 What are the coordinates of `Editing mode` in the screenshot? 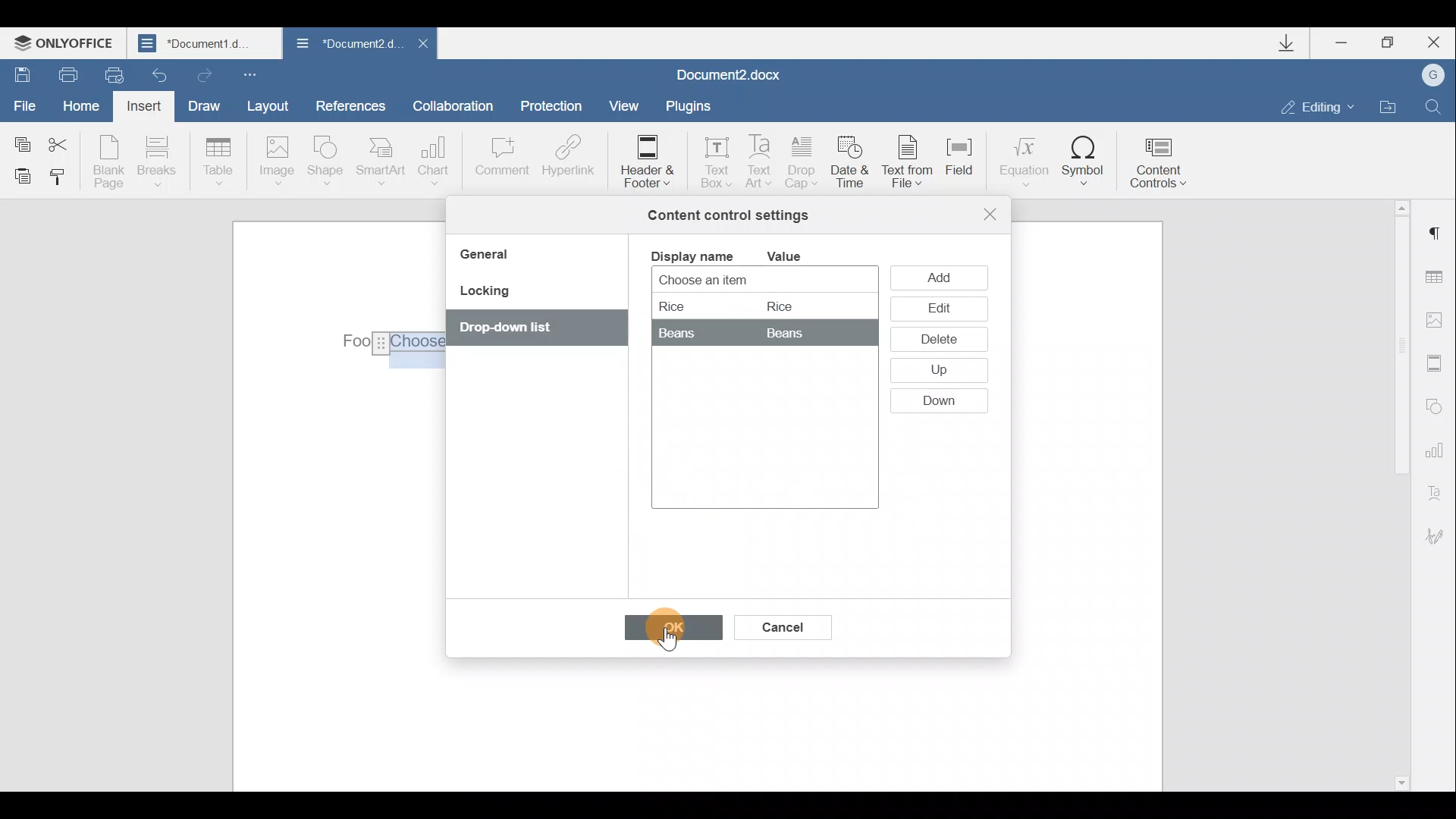 It's located at (1318, 106).